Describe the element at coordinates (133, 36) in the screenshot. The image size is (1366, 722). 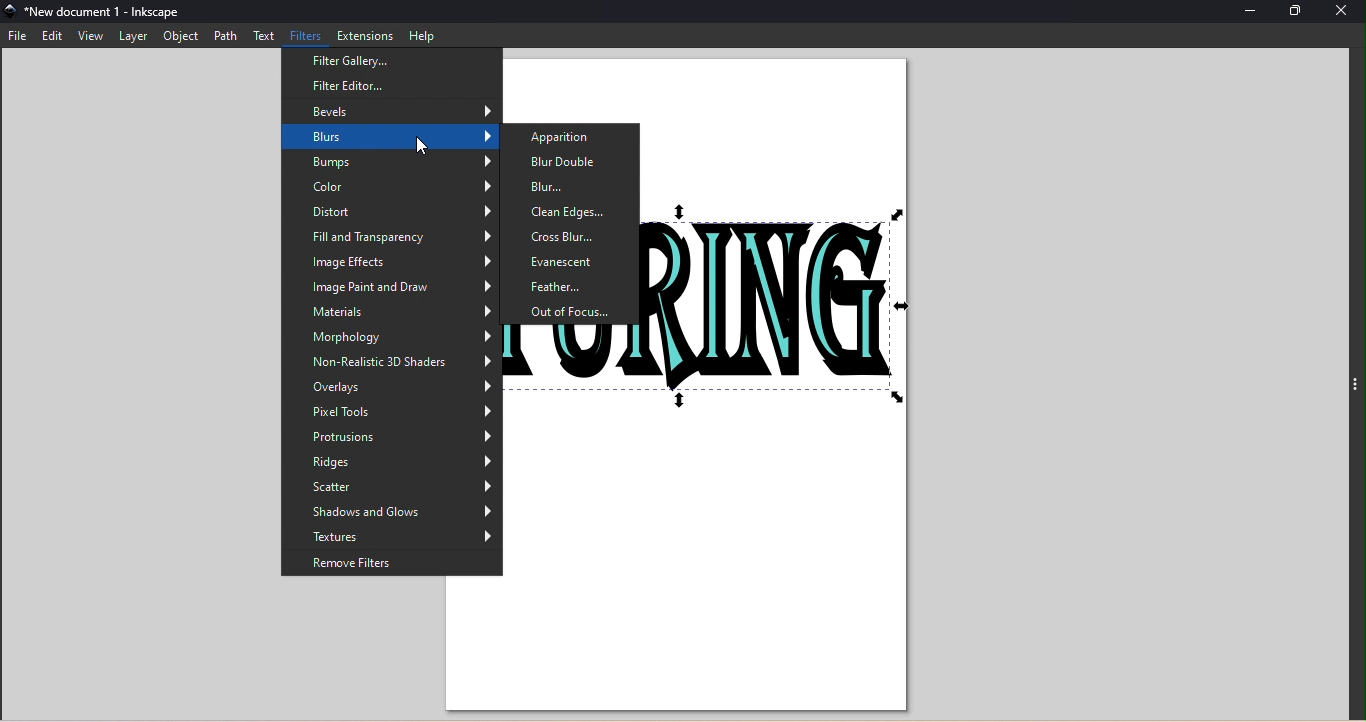
I see `Layer` at that location.